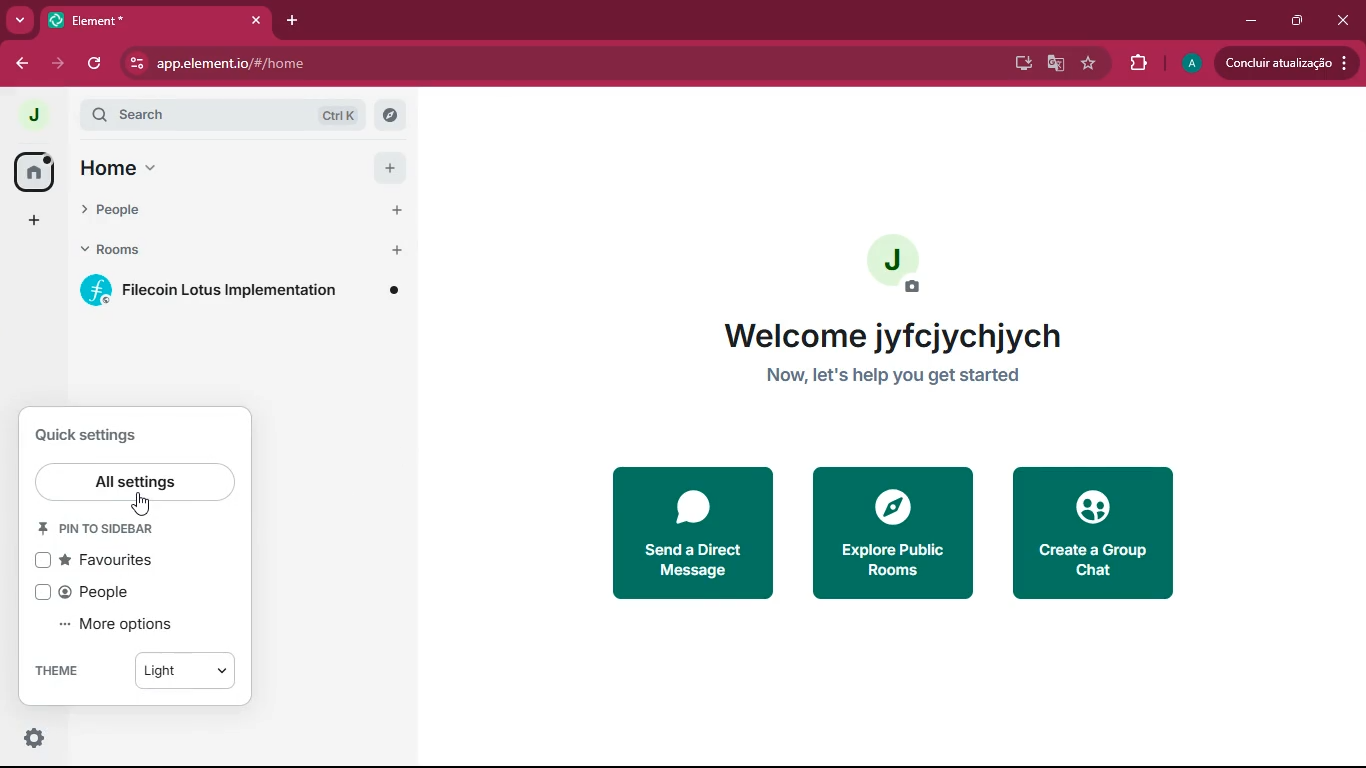 The image size is (1366, 768). I want to click on explore rooms, so click(390, 115).